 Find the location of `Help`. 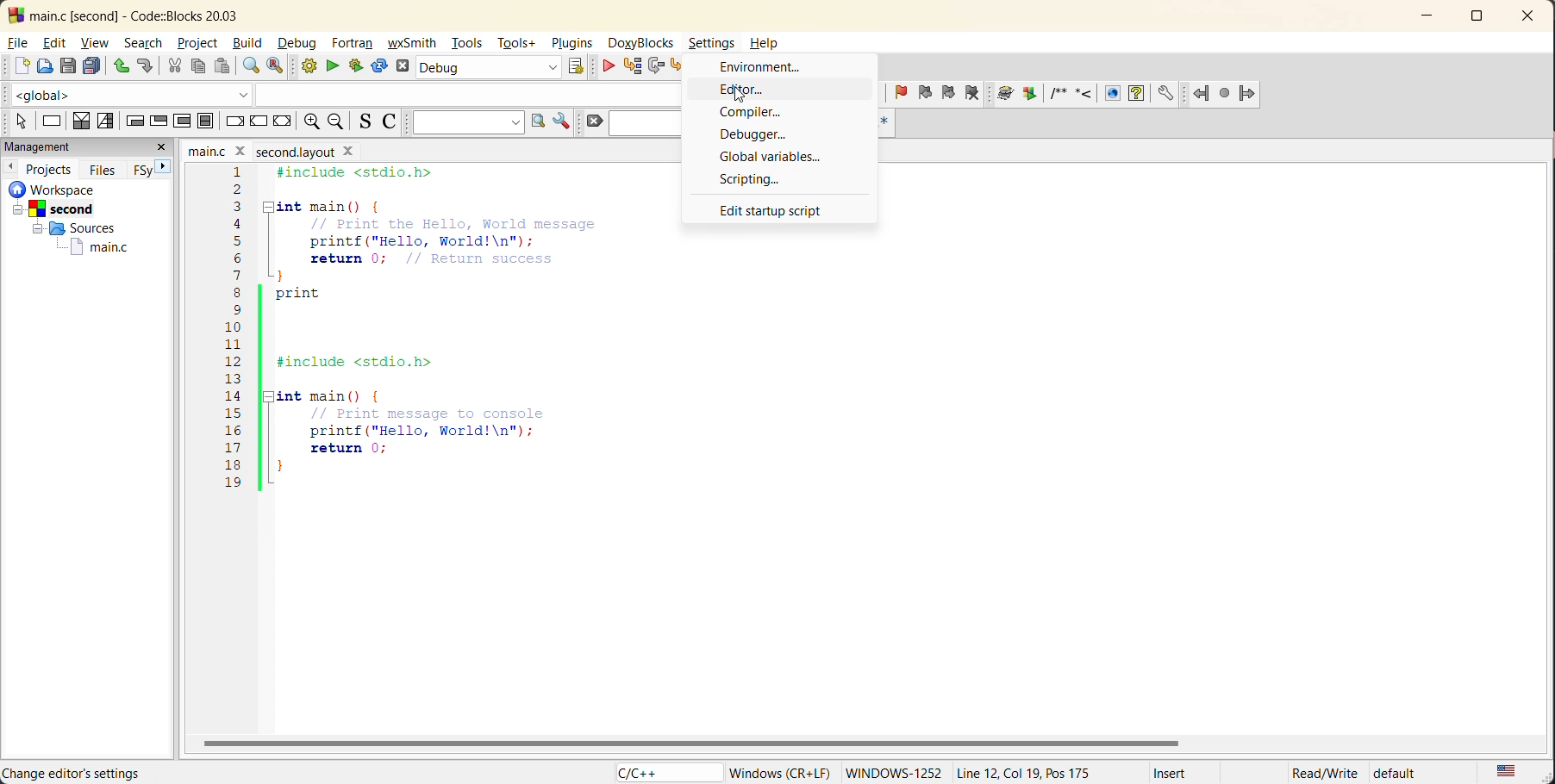

Help is located at coordinates (768, 39).